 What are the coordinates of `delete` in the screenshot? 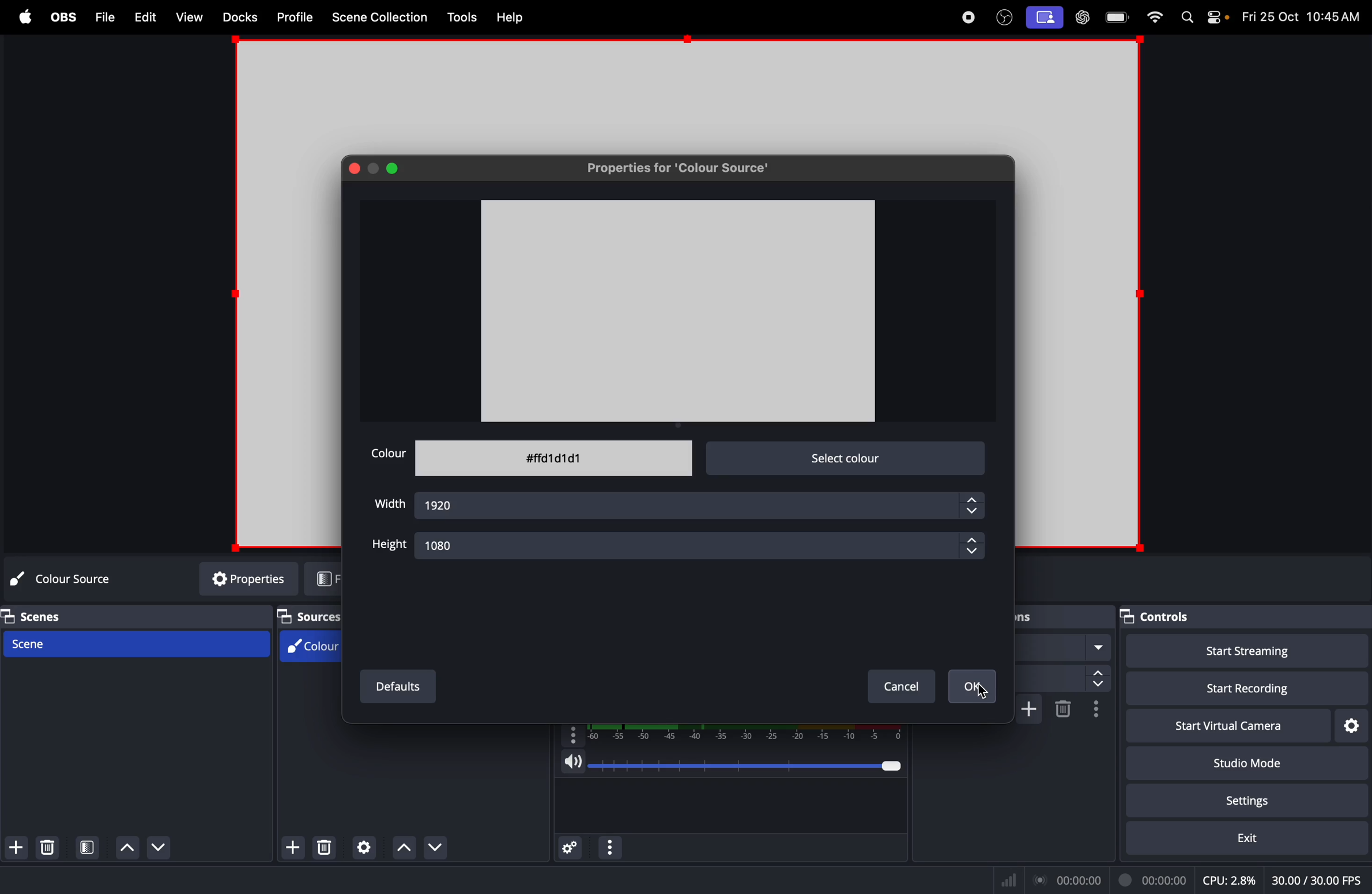 It's located at (323, 848).